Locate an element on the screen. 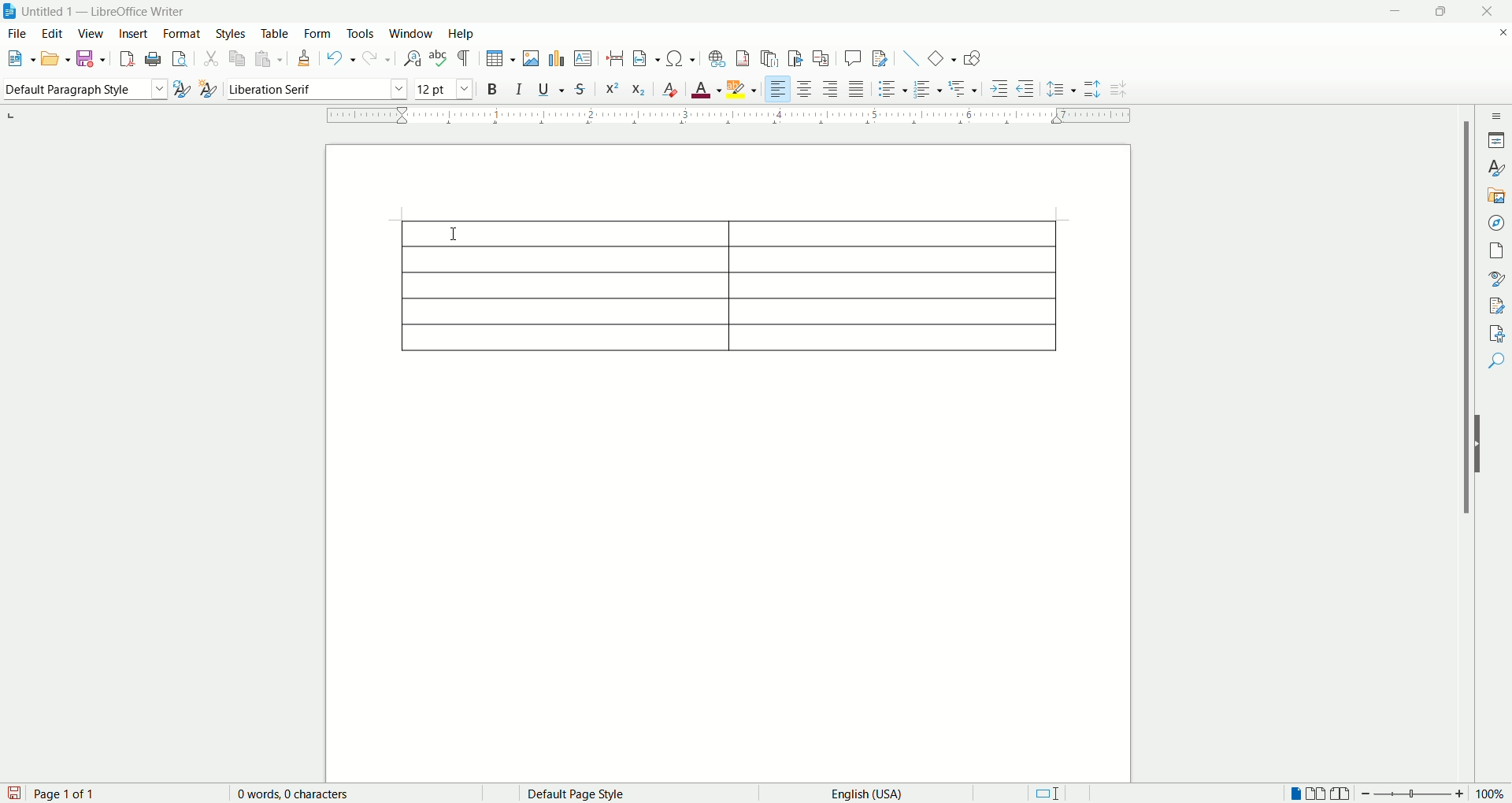 This screenshot has height=803, width=1512. paste is located at coordinates (269, 58).